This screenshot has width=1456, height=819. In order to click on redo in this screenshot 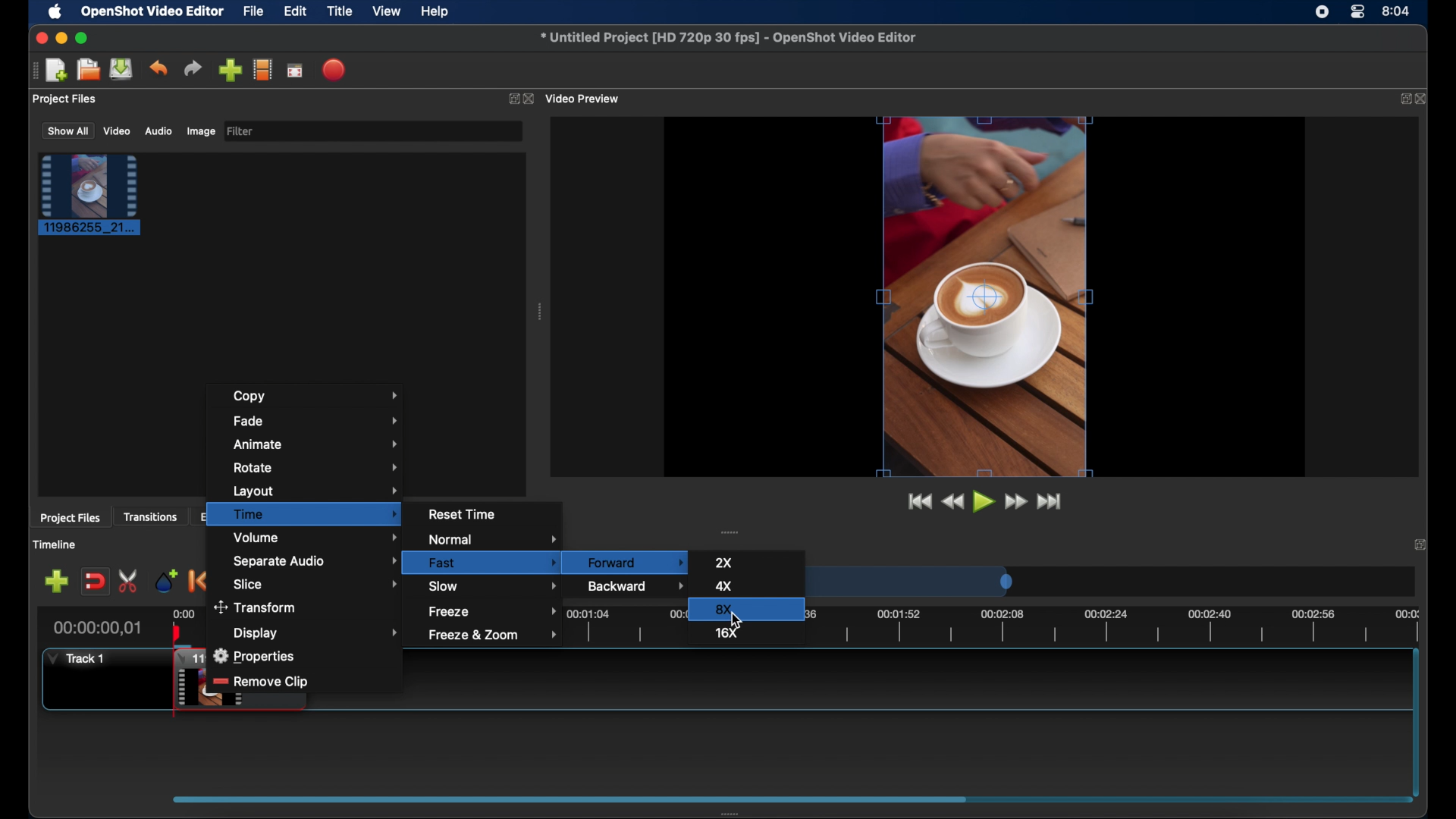, I will do `click(193, 67)`.